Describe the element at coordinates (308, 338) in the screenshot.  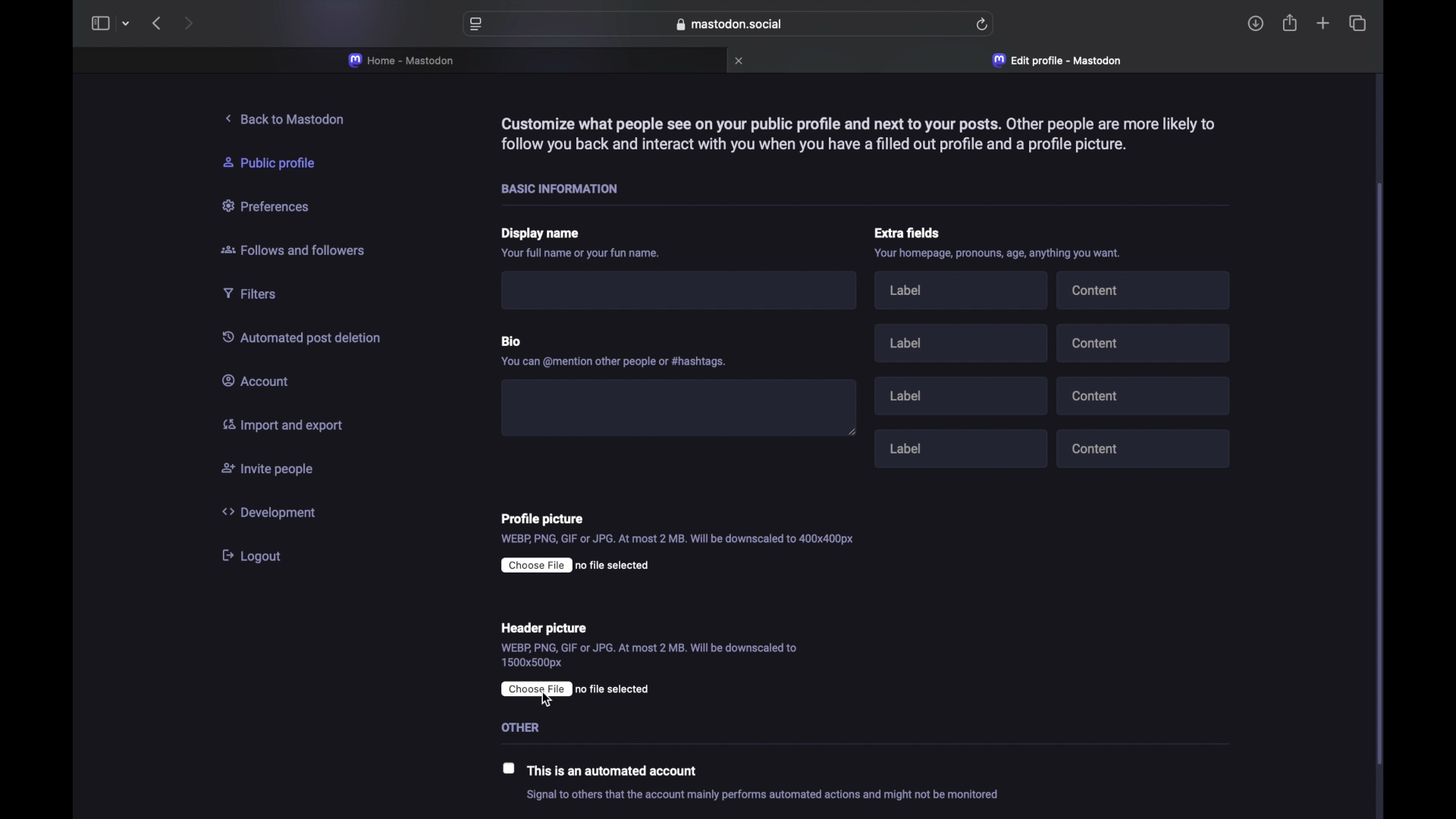
I see `automated post deletion` at that location.